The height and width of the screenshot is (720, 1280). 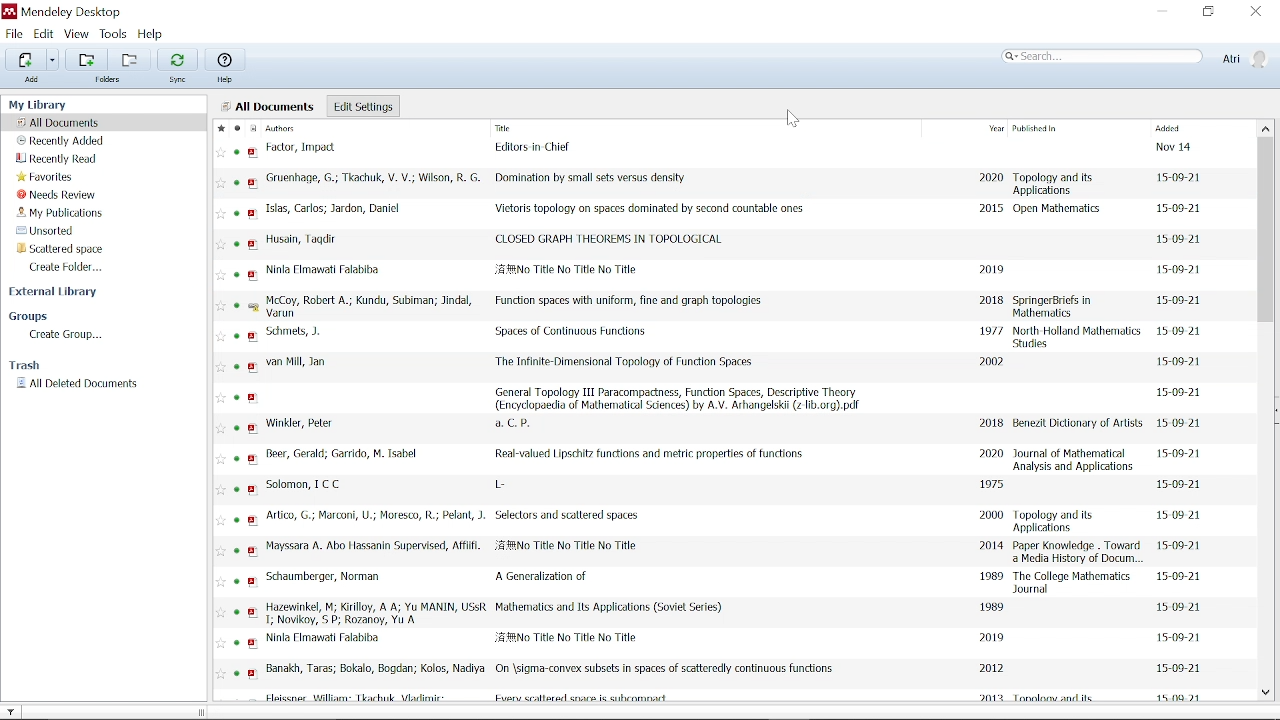 What do you see at coordinates (68, 268) in the screenshot?
I see `Create folder` at bounding box center [68, 268].